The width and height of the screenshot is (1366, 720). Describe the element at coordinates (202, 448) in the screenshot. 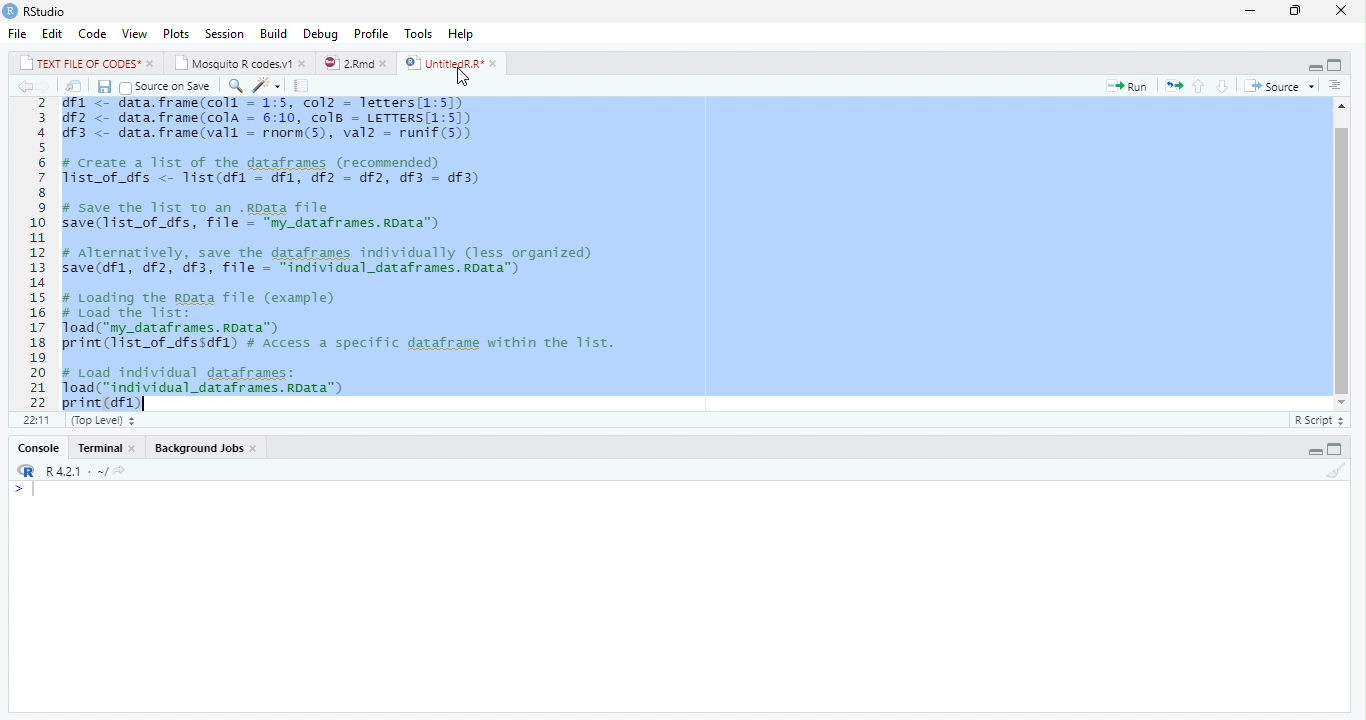

I see `Background Jobs` at that location.